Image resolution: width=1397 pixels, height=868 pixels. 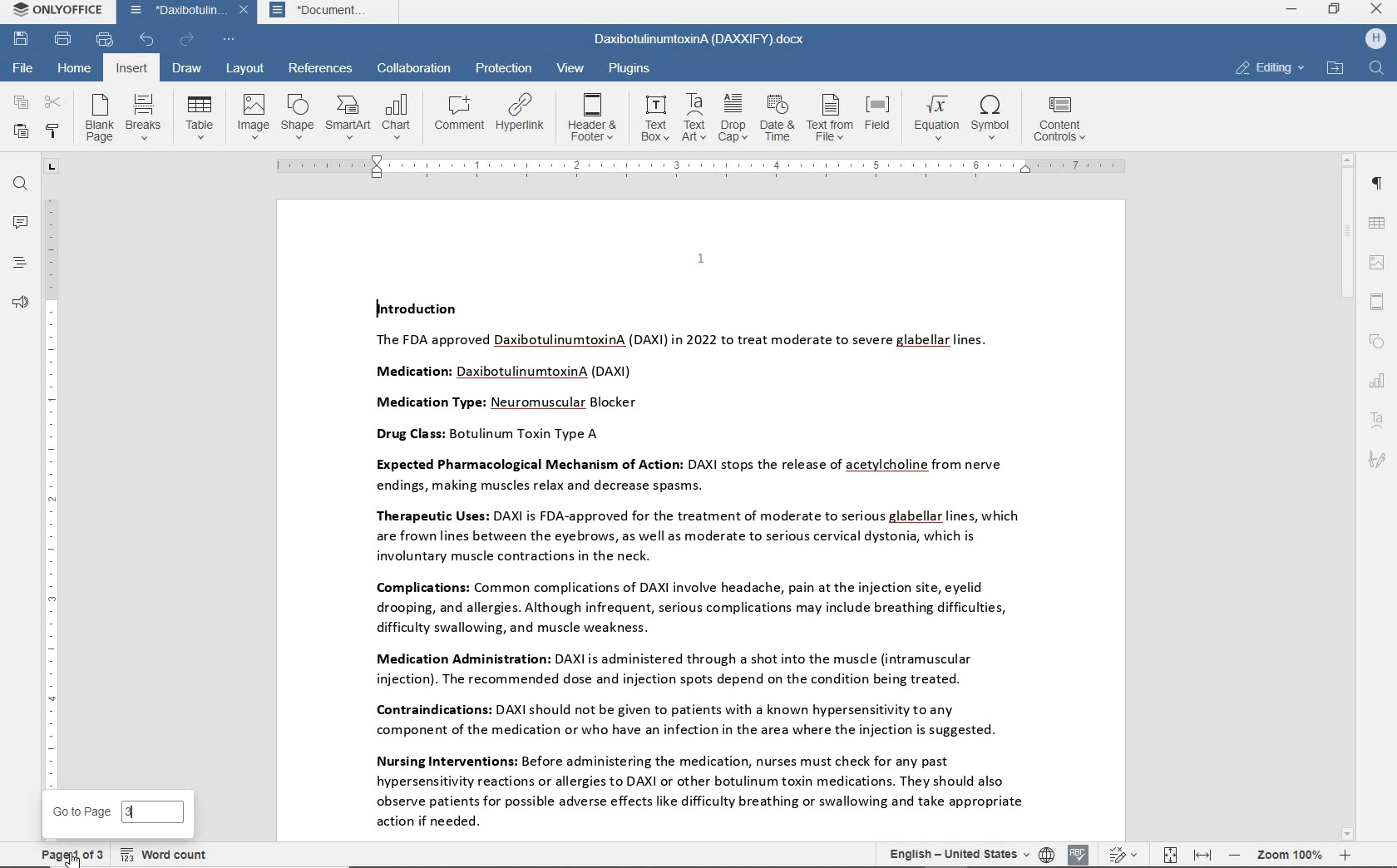 I want to click on SmartArt, so click(x=348, y=117).